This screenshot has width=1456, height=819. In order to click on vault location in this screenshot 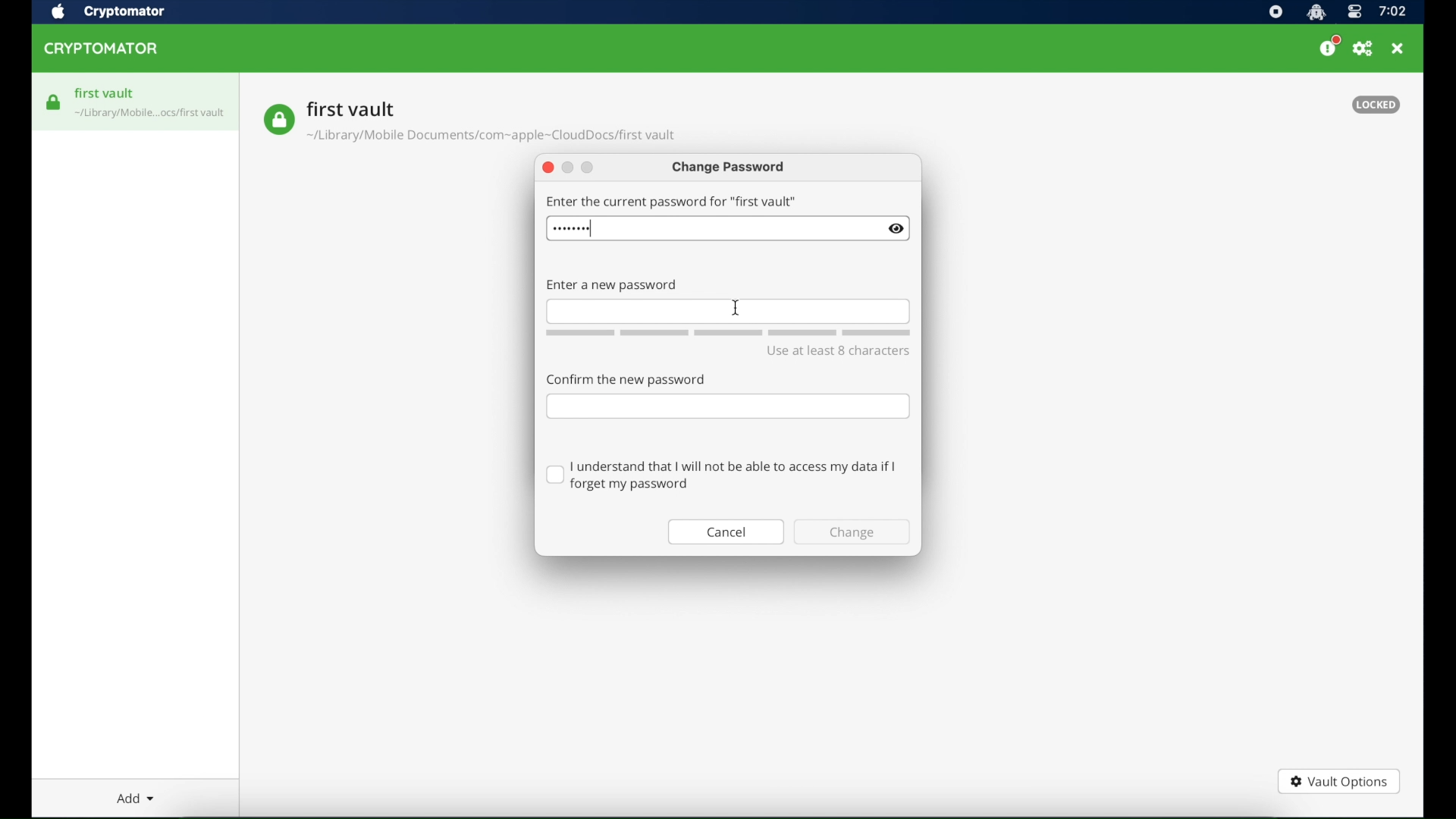, I will do `click(493, 138)`.